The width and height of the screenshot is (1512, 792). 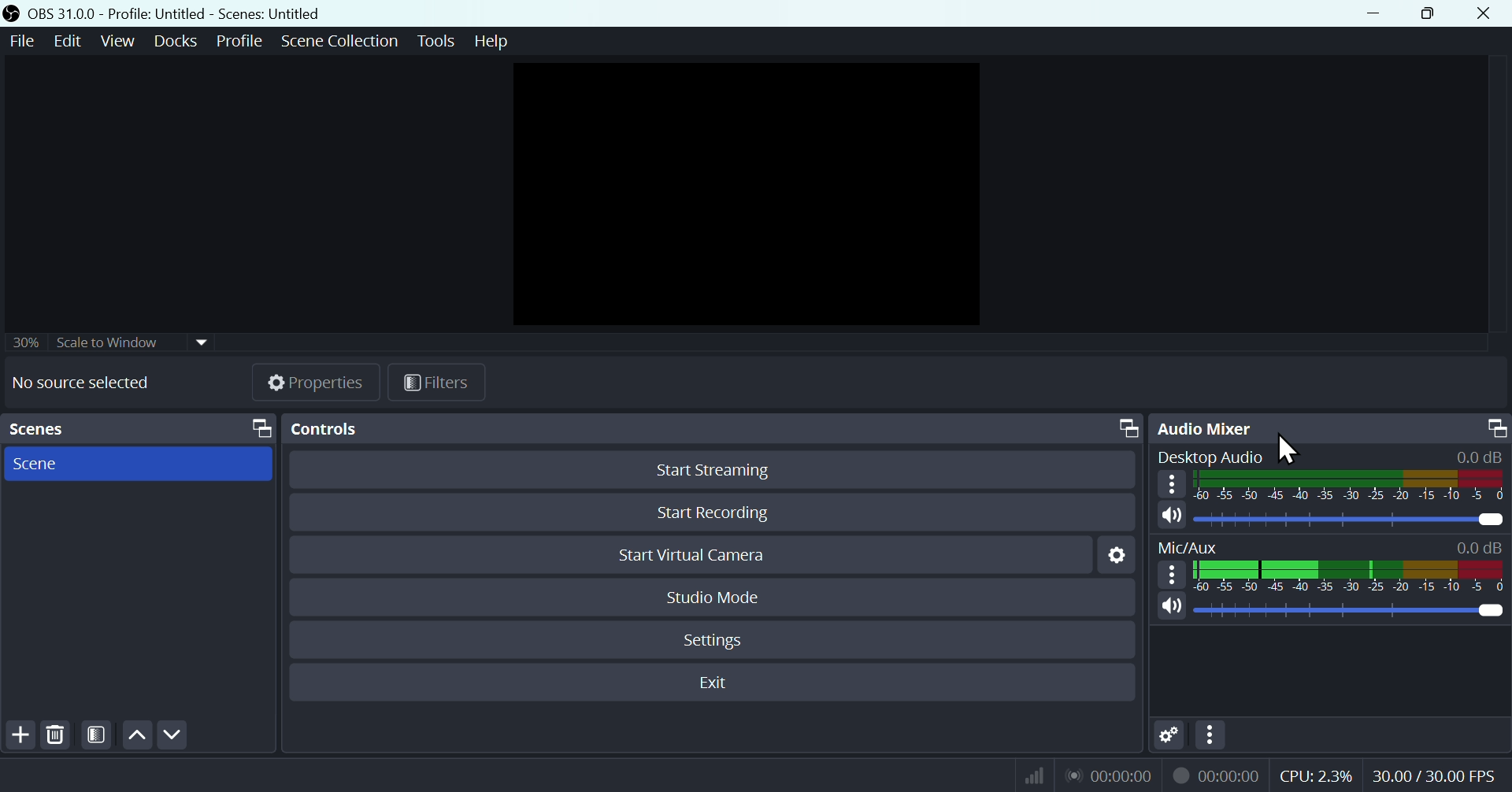 I want to click on Start recording, so click(x=725, y=513).